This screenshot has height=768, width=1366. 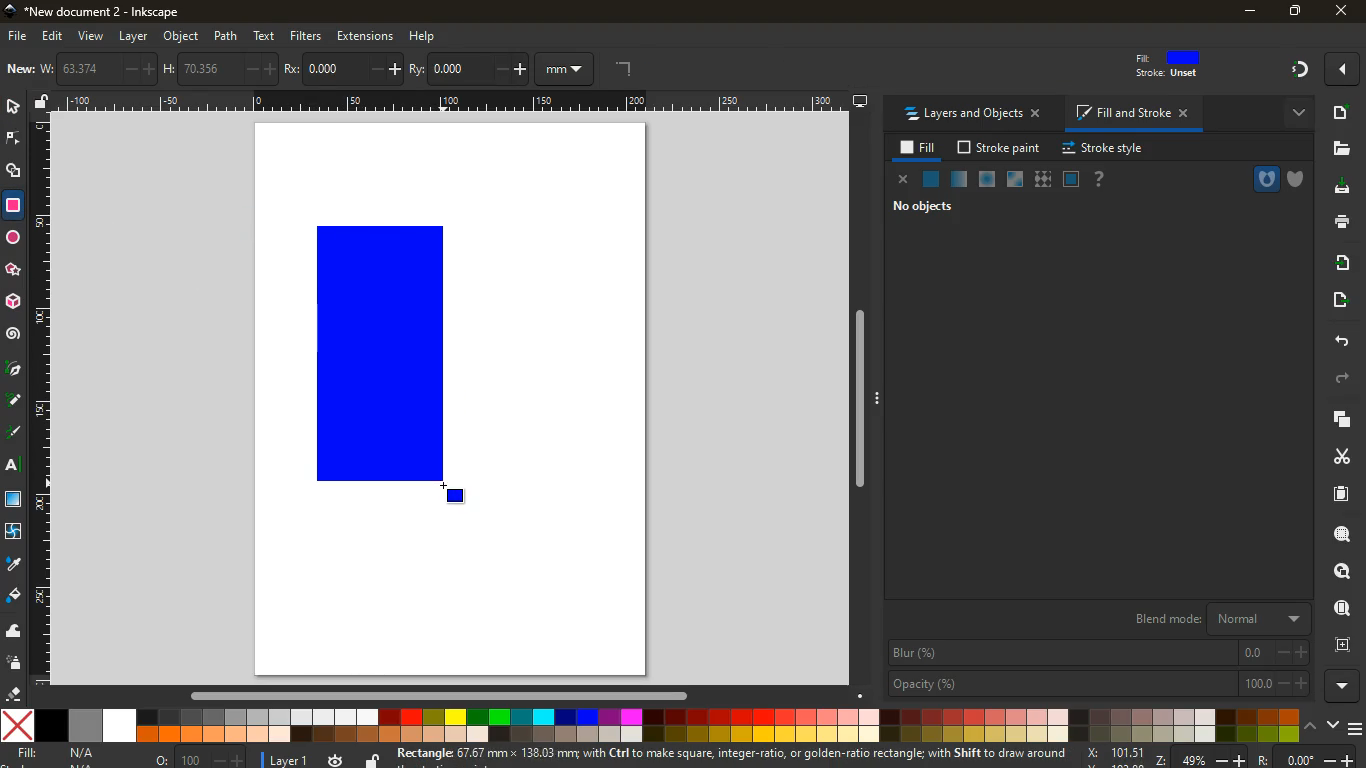 What do you see at coordinates (1300, 116) in the screenshot?
I see `more` at bounding box center [1300, 116].